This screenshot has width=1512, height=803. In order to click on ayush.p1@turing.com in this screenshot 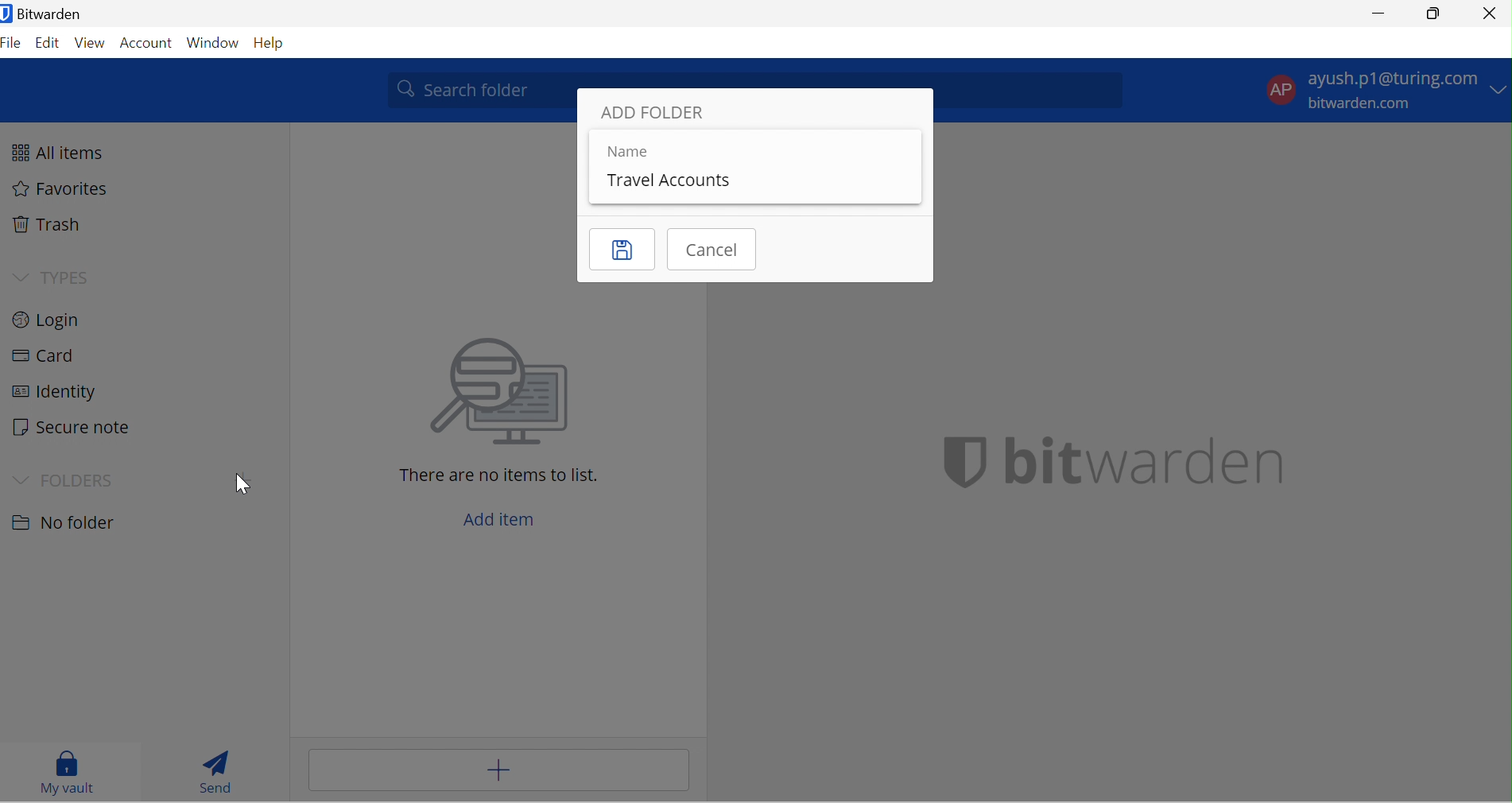, I will do `click(1391, 78)`.